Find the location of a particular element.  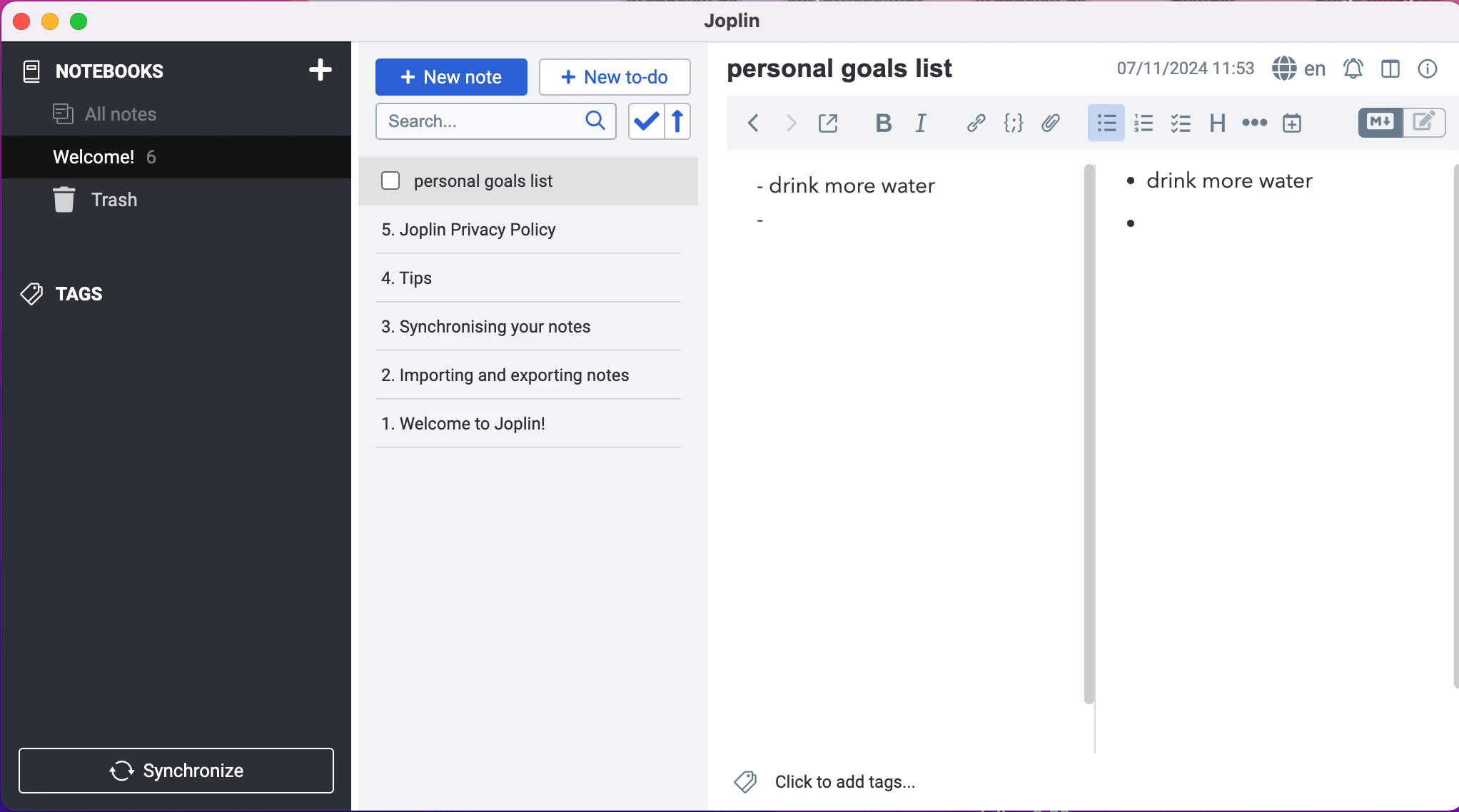

hyperlink is located at coordinates (976, 123).